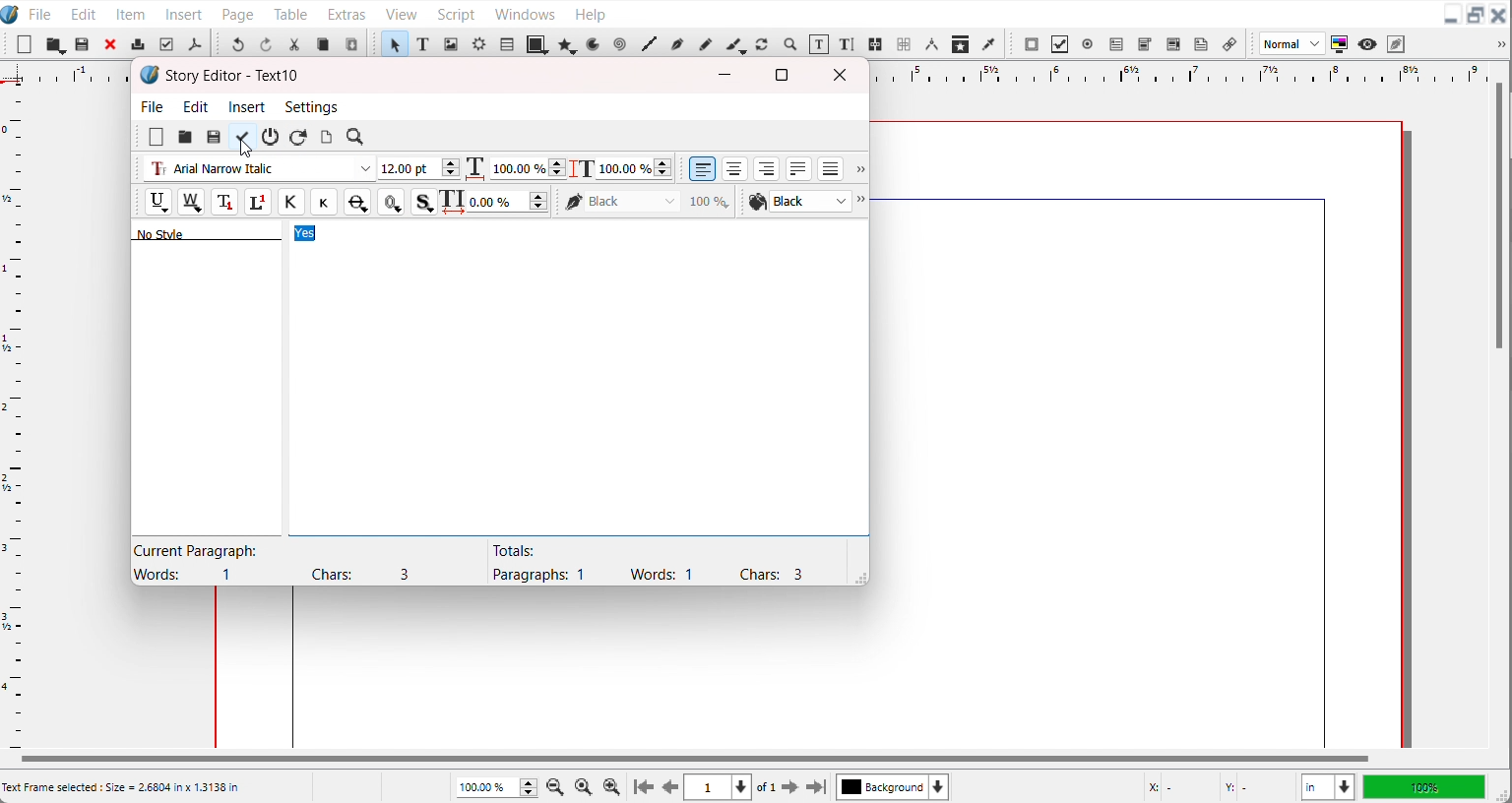 The height and width of the screenshot is (803, 1512). Describe the element at coordinates (676, 44) in the screenshot. I see `Bezier curve` at that location.